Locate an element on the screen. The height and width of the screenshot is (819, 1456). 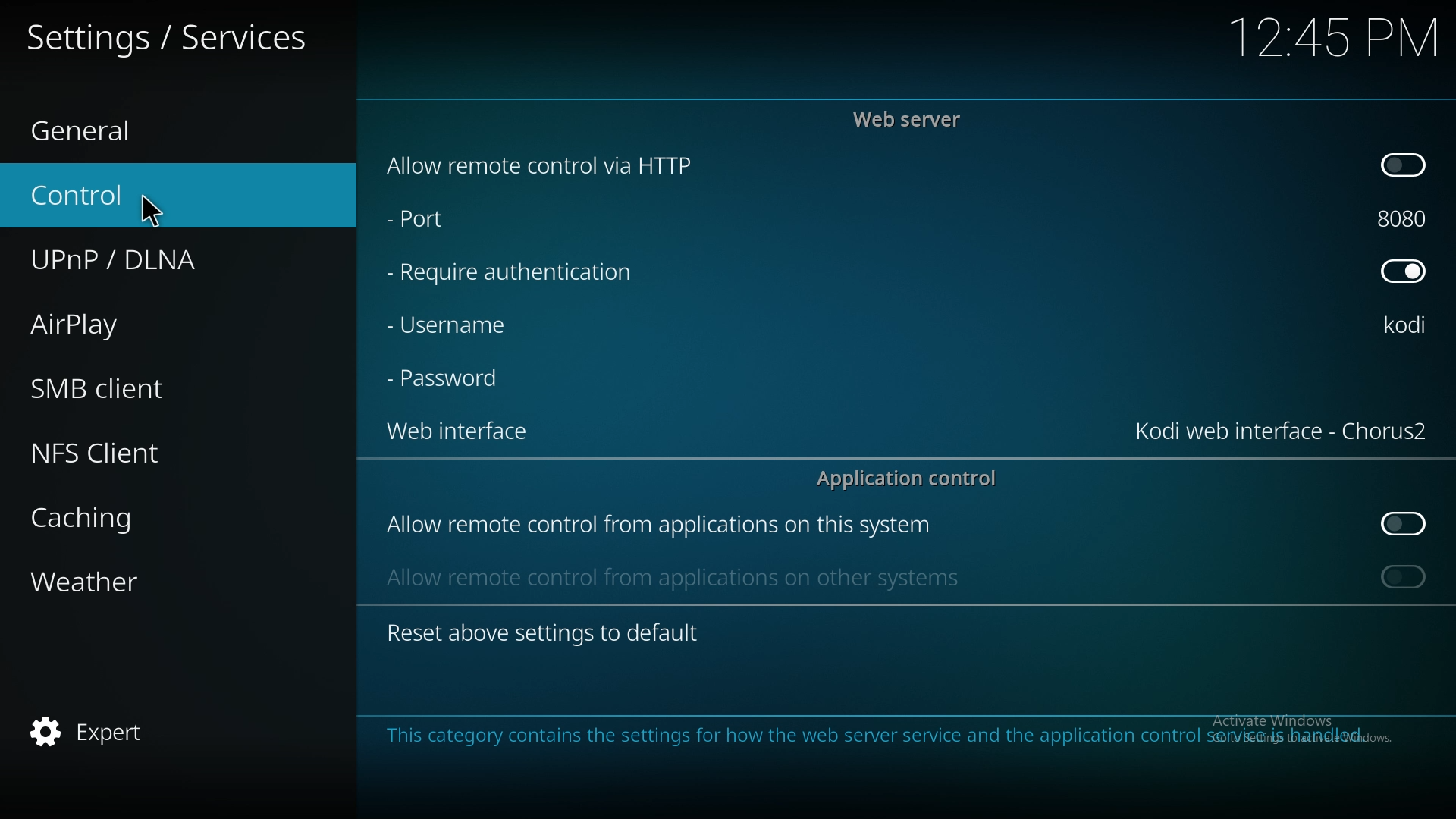
control is located at coordinates (146, 193).